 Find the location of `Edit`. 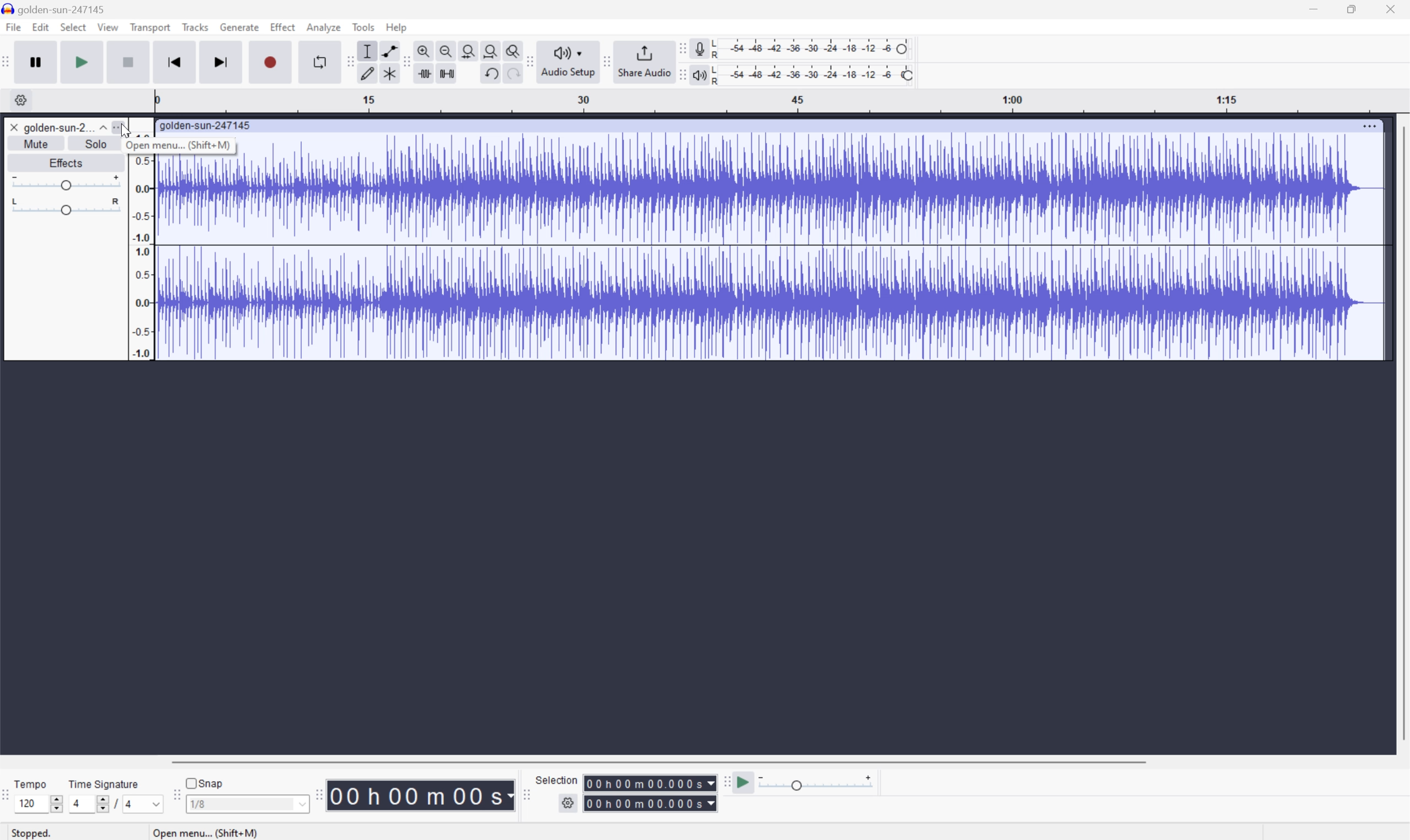

Edit is located at coordinates (41, 29).